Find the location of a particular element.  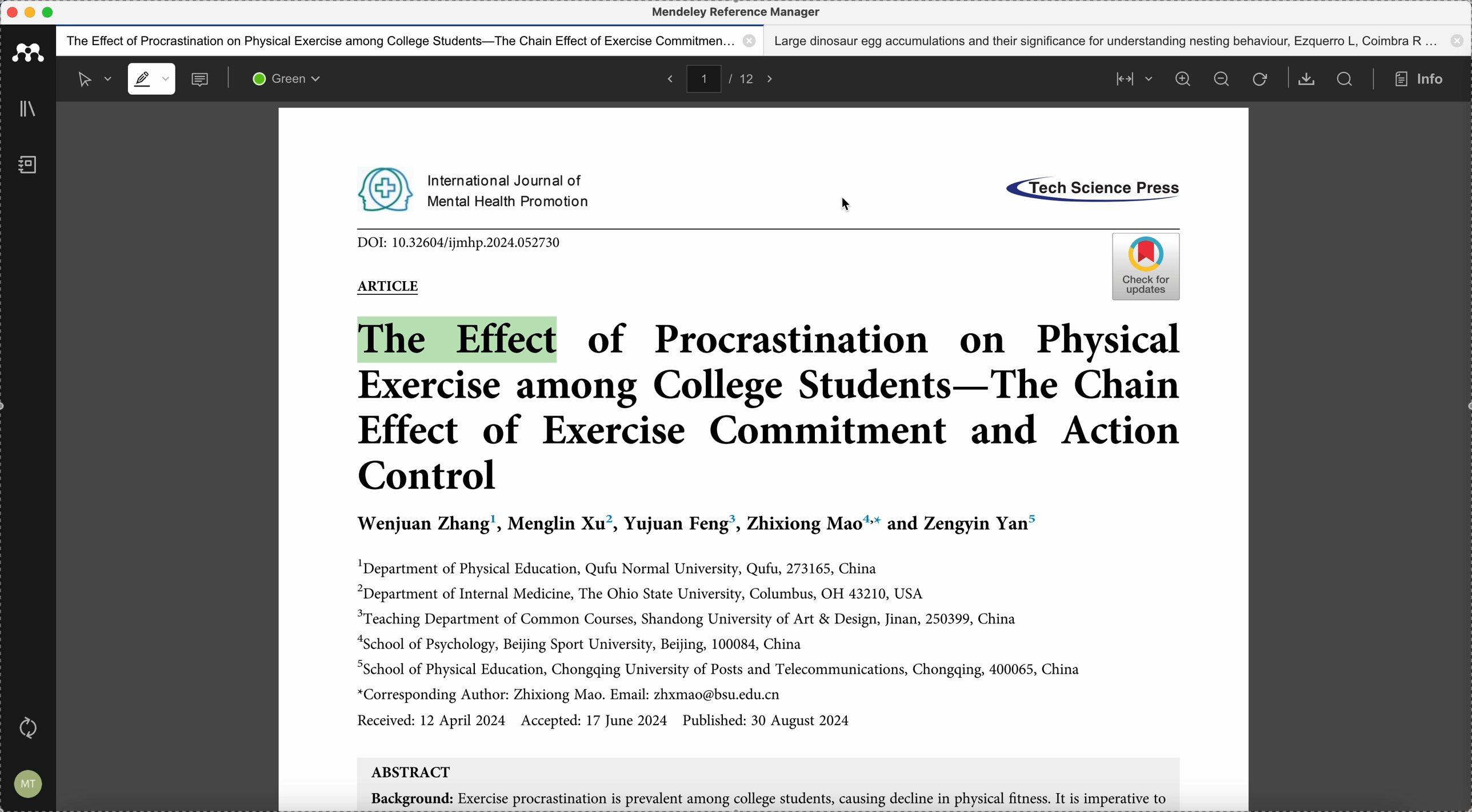

foward is located at coordinates (774, 78).